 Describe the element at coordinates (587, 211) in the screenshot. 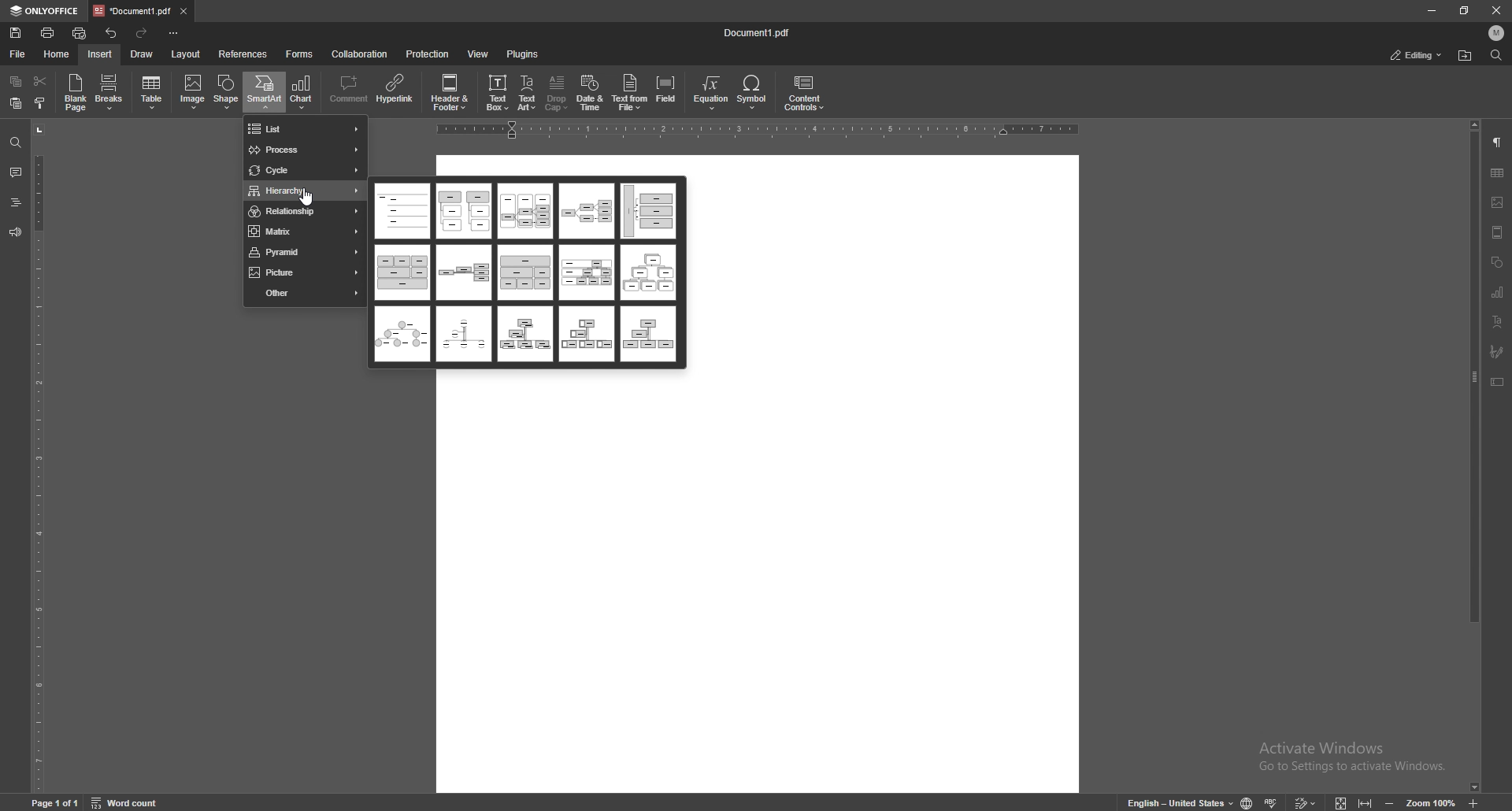

I see `hierarchy smart art` at that location.